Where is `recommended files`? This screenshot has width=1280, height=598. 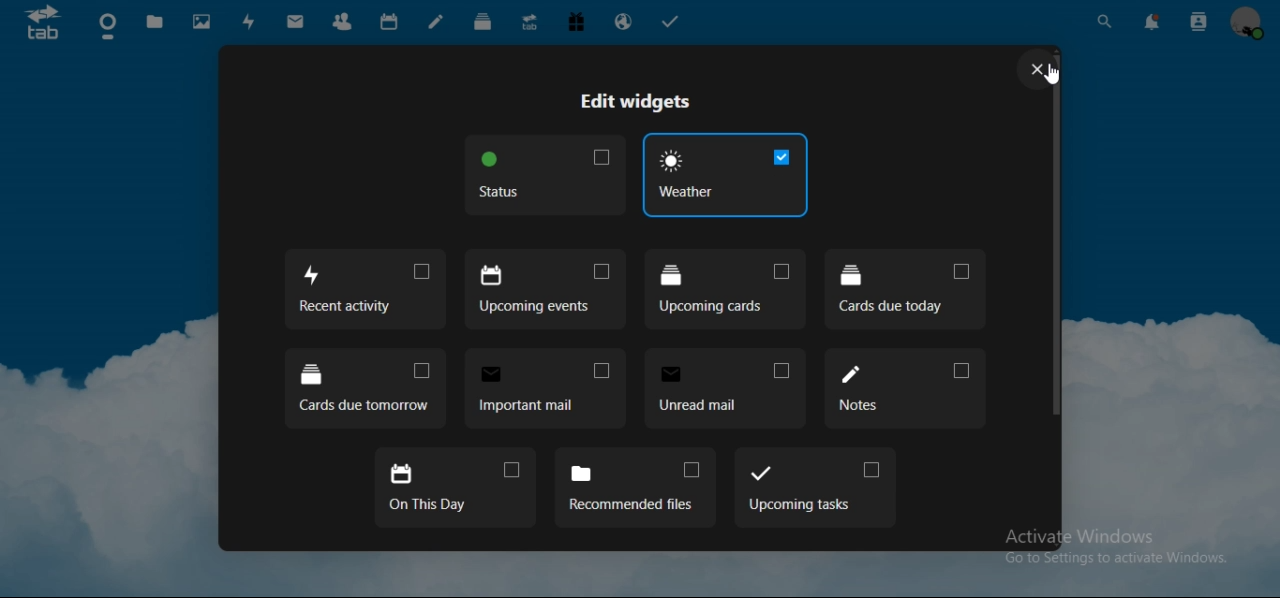 recommended files is located at coordinates (637, 488).